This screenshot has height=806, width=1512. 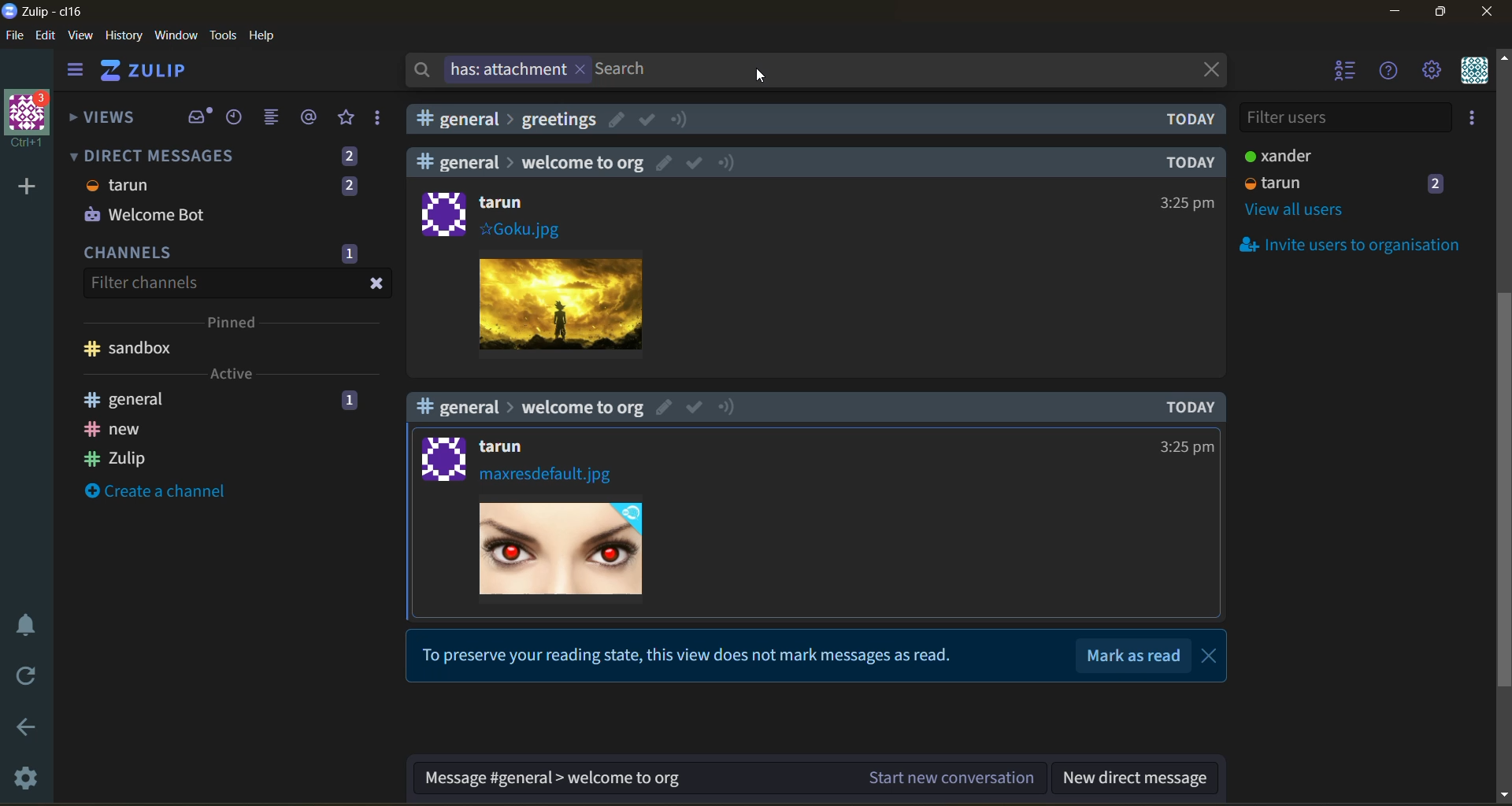 What do you see at coordinates (1274, 183) in the screenshot?
I see `tarun` at bounding box center [1274, 183].